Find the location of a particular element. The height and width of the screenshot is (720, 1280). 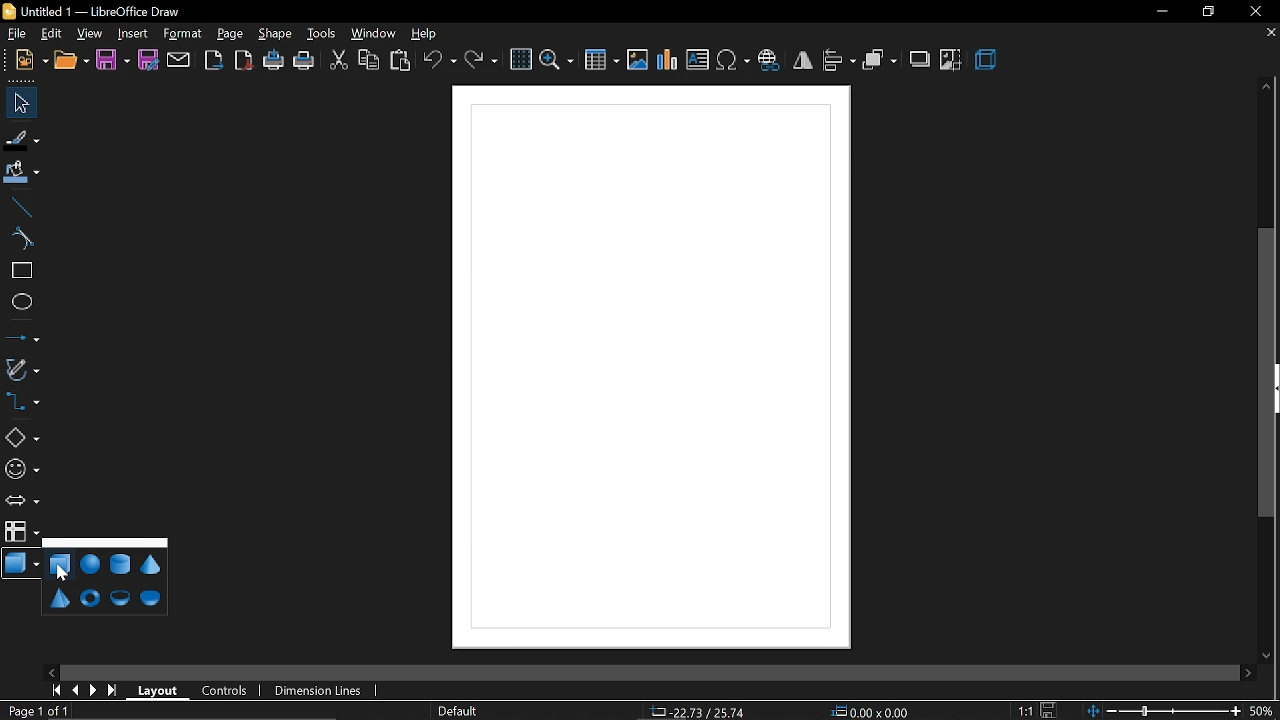

line is located at coordinates (22, 208).